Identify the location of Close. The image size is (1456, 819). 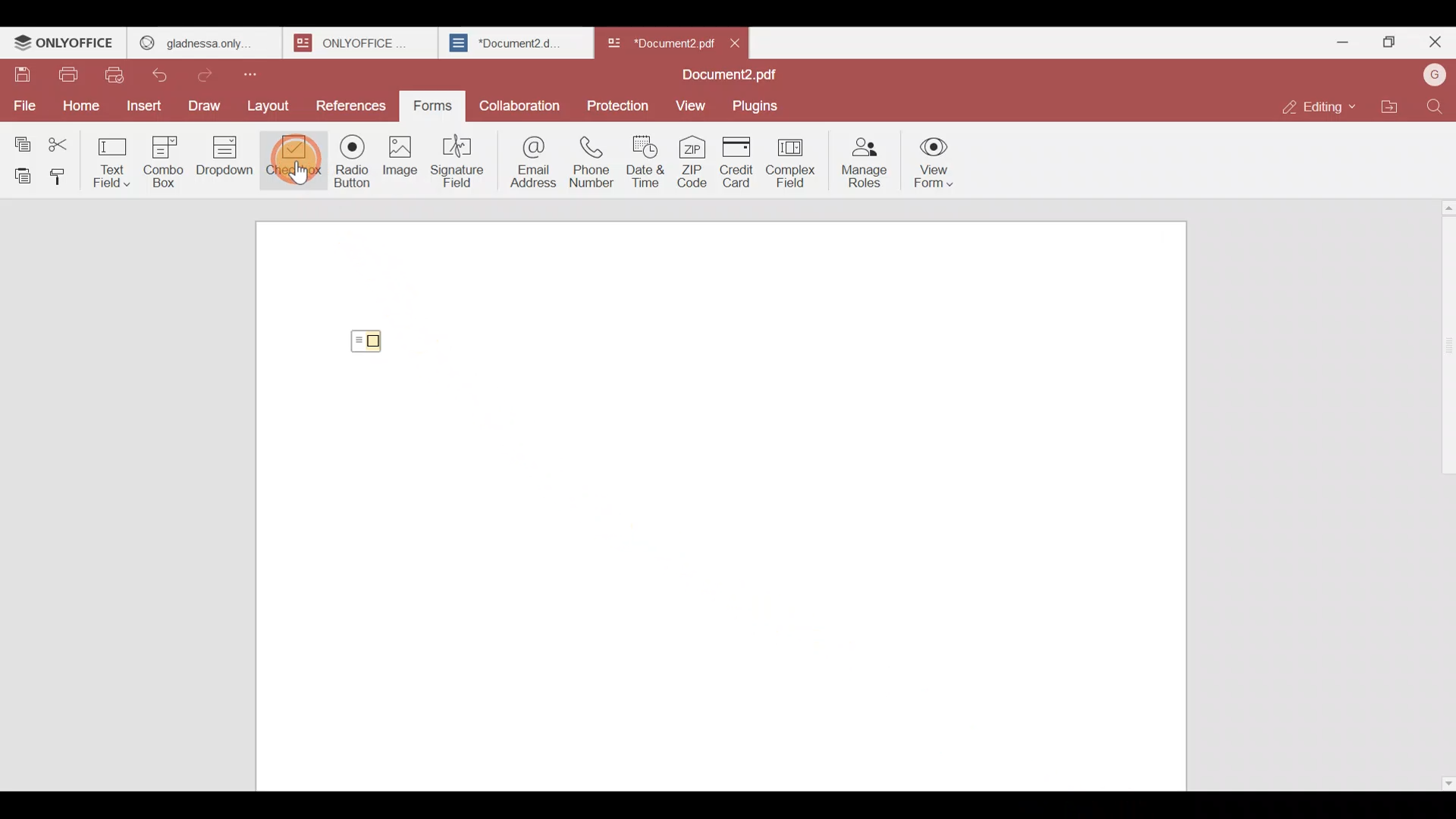
(1434, 45).